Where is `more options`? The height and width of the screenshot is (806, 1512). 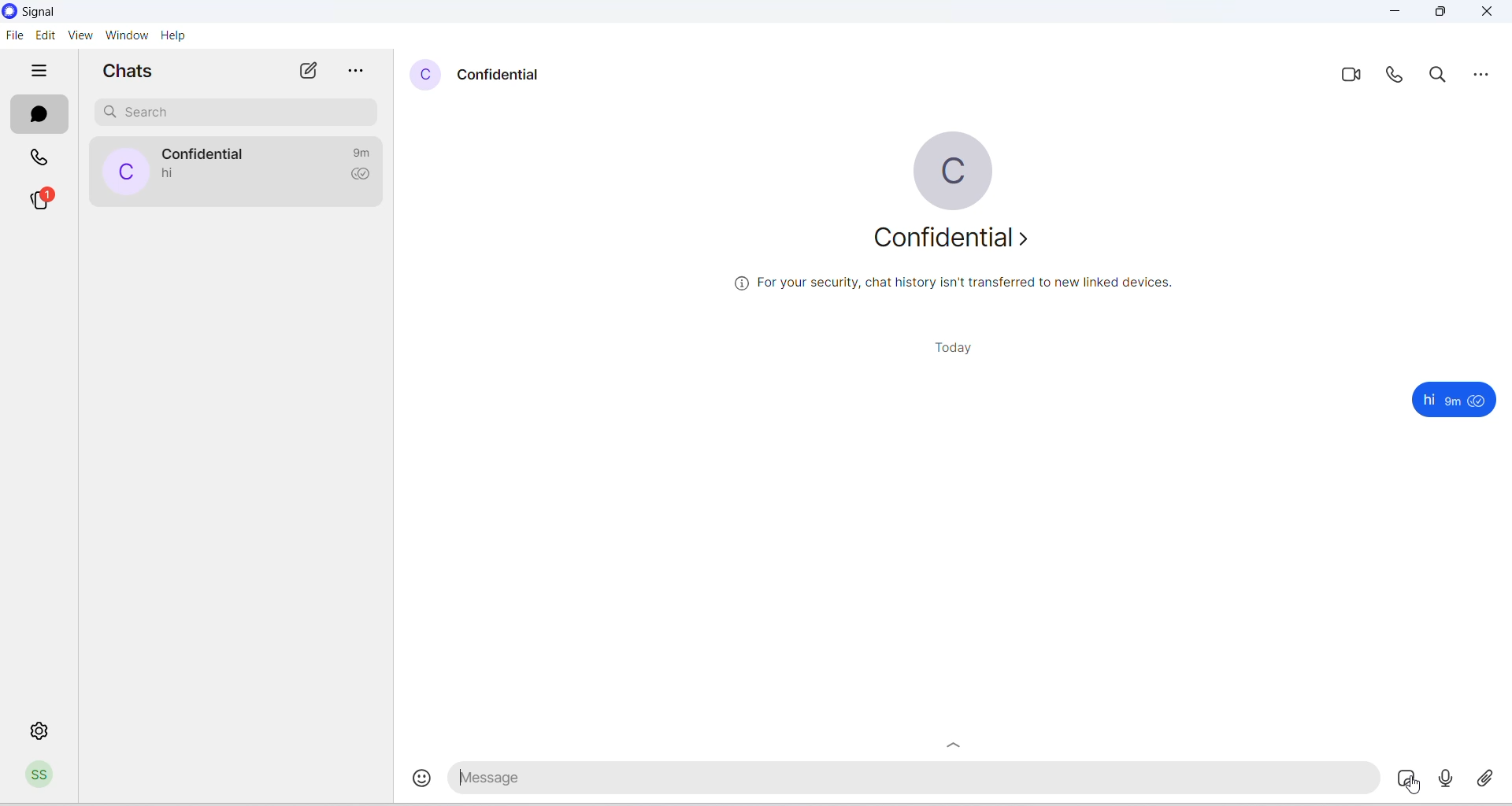
more options is located at coordinates (1483, 72).